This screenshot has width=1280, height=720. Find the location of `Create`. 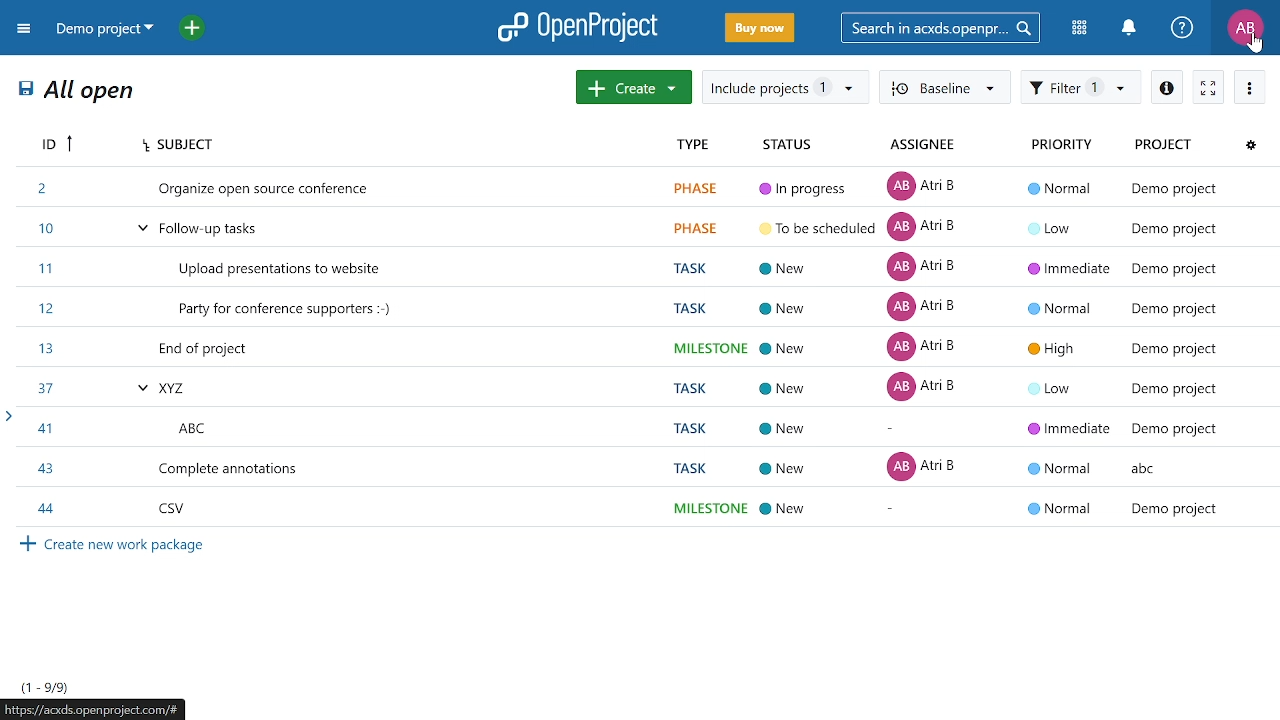

Create is located at coordinates (634, 87).